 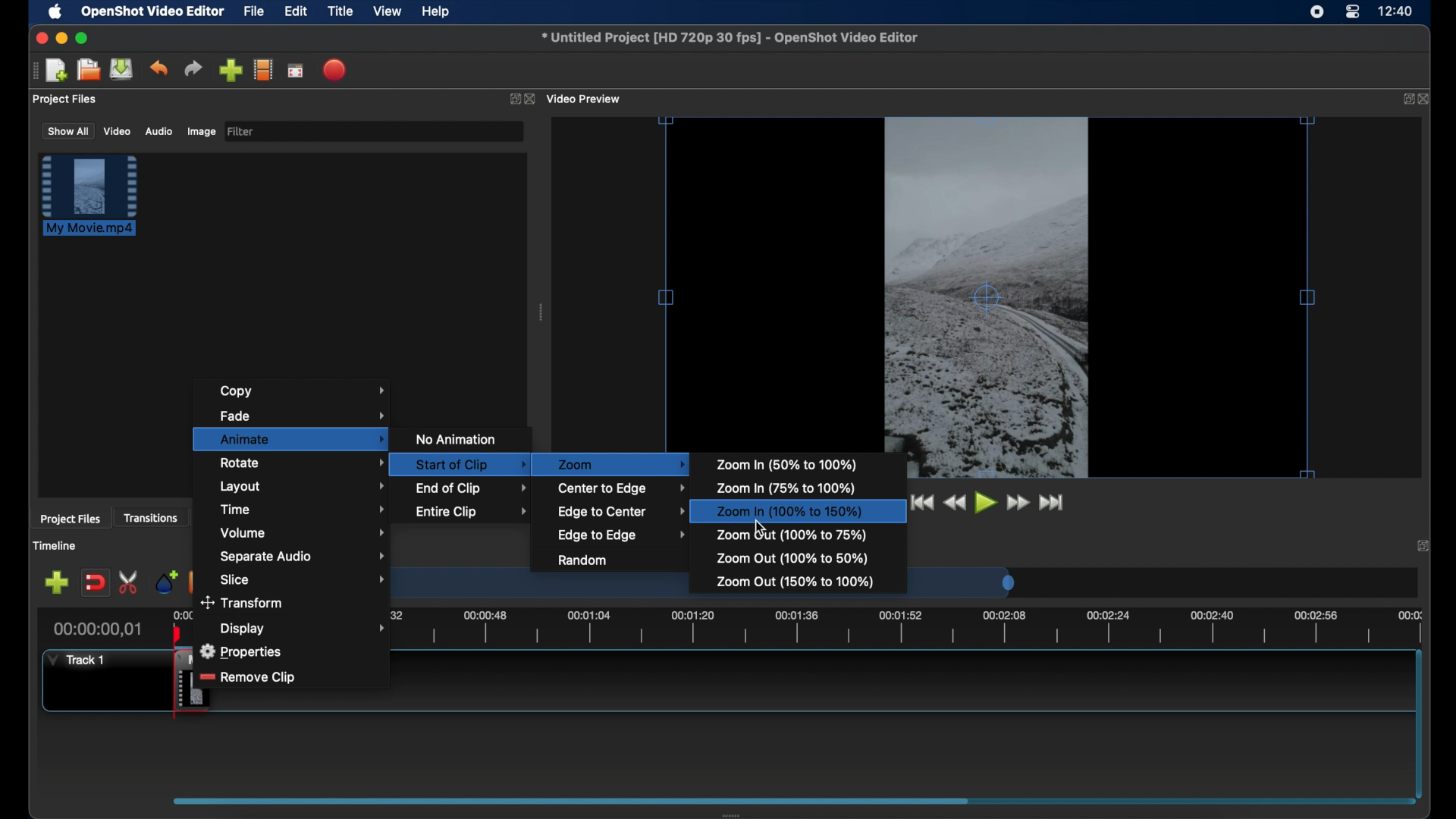 I want to click on previous marker, so click(x=193, y=581).